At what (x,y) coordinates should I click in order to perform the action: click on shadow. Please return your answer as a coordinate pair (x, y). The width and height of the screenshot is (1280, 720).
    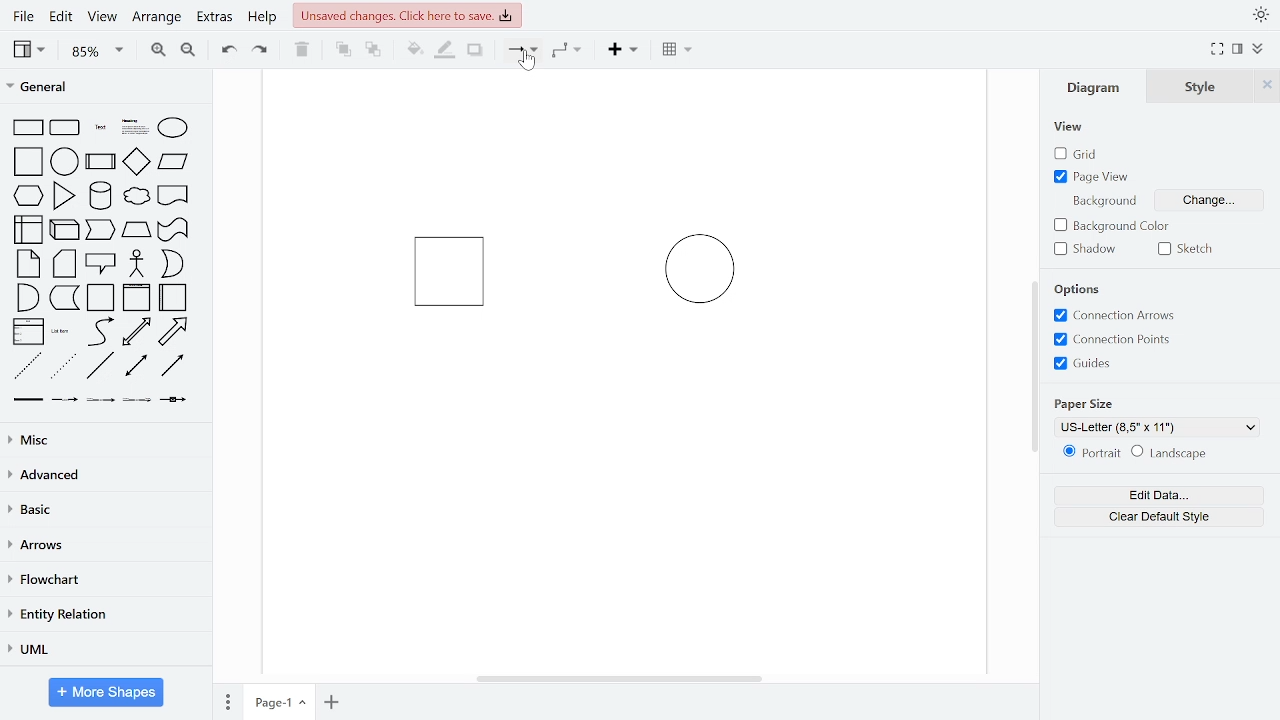
    Looking at the image, I should click on (476, 51).